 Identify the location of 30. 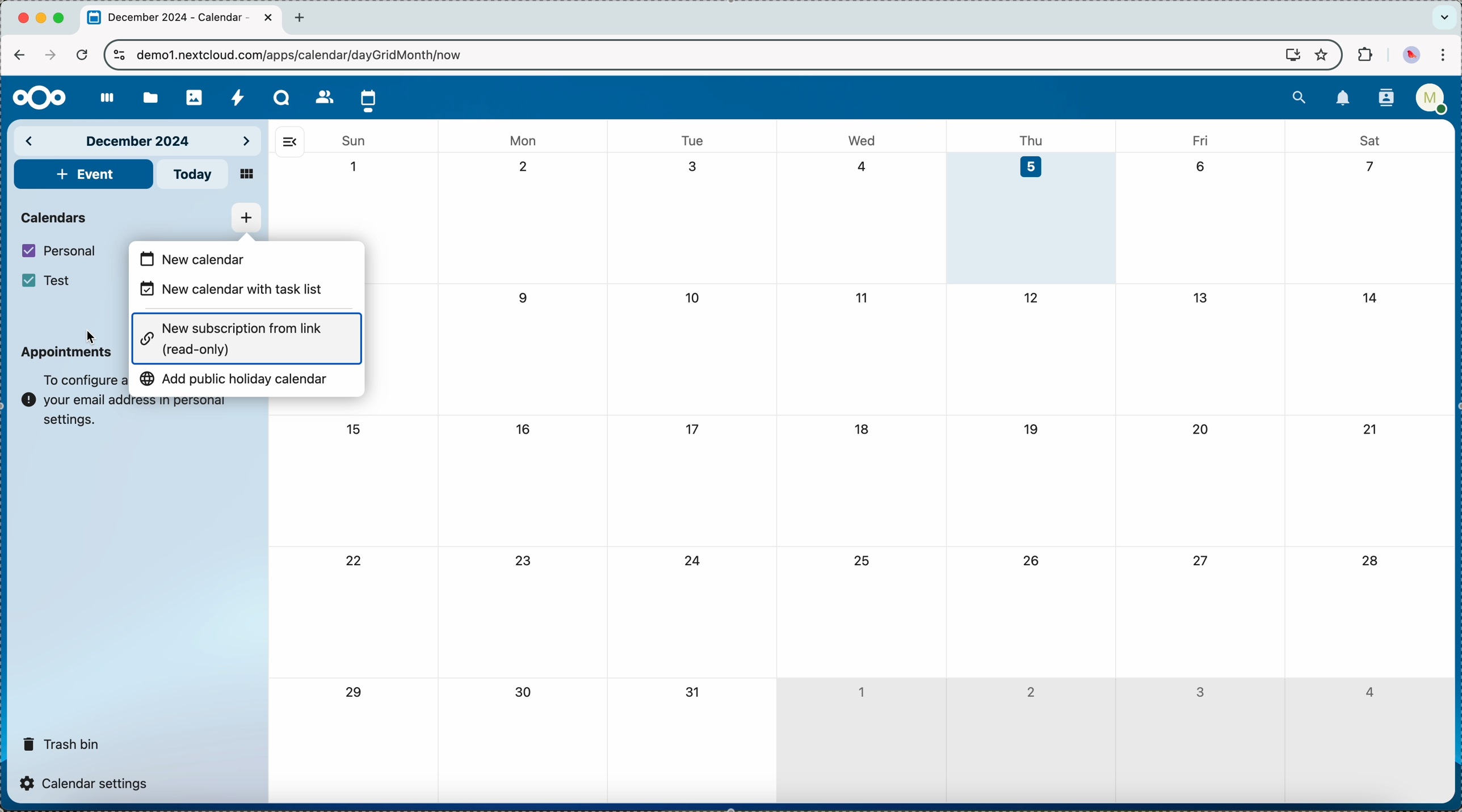
(527, 694).